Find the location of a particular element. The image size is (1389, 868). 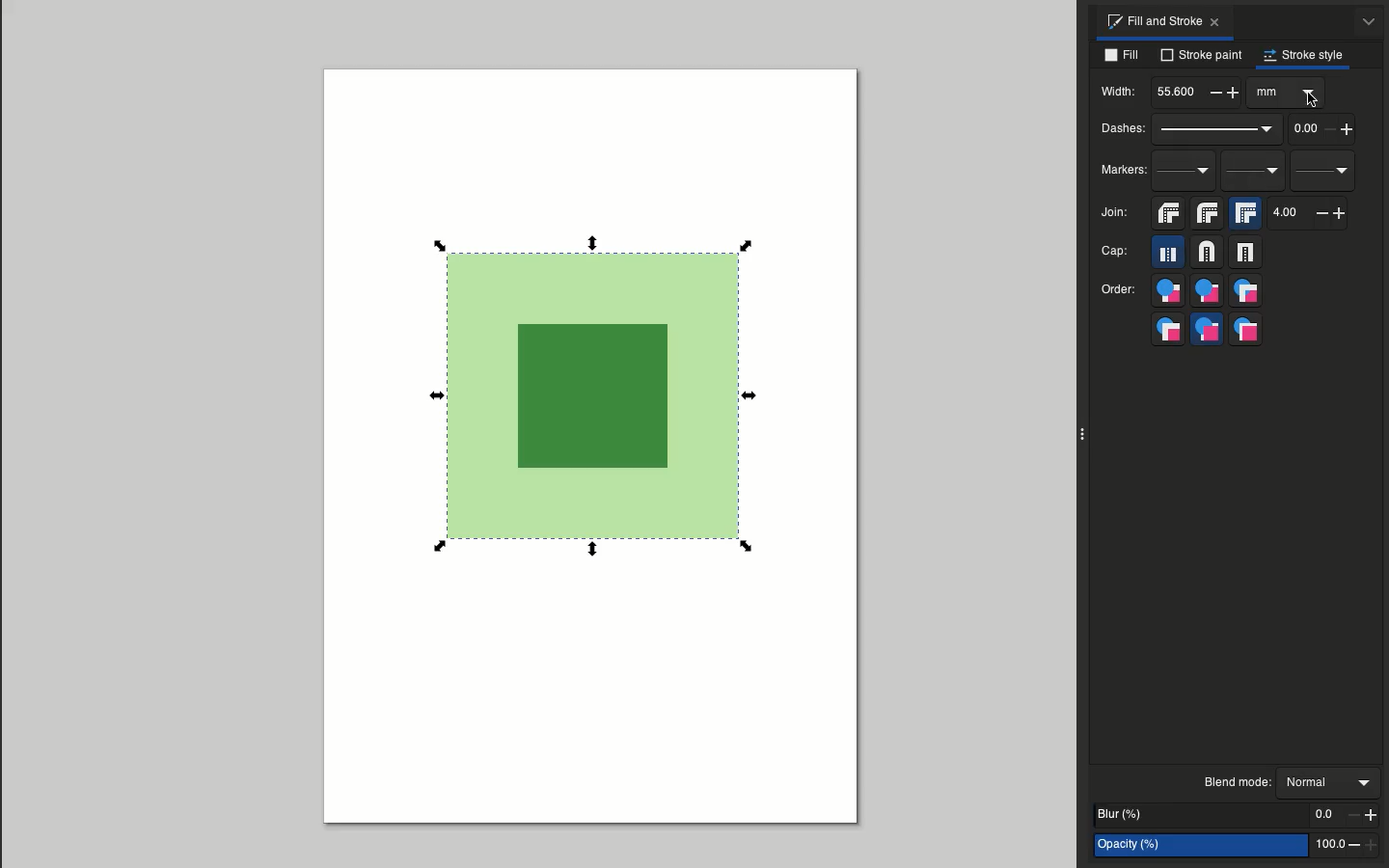

Order is located at coordinates (1119, 290).